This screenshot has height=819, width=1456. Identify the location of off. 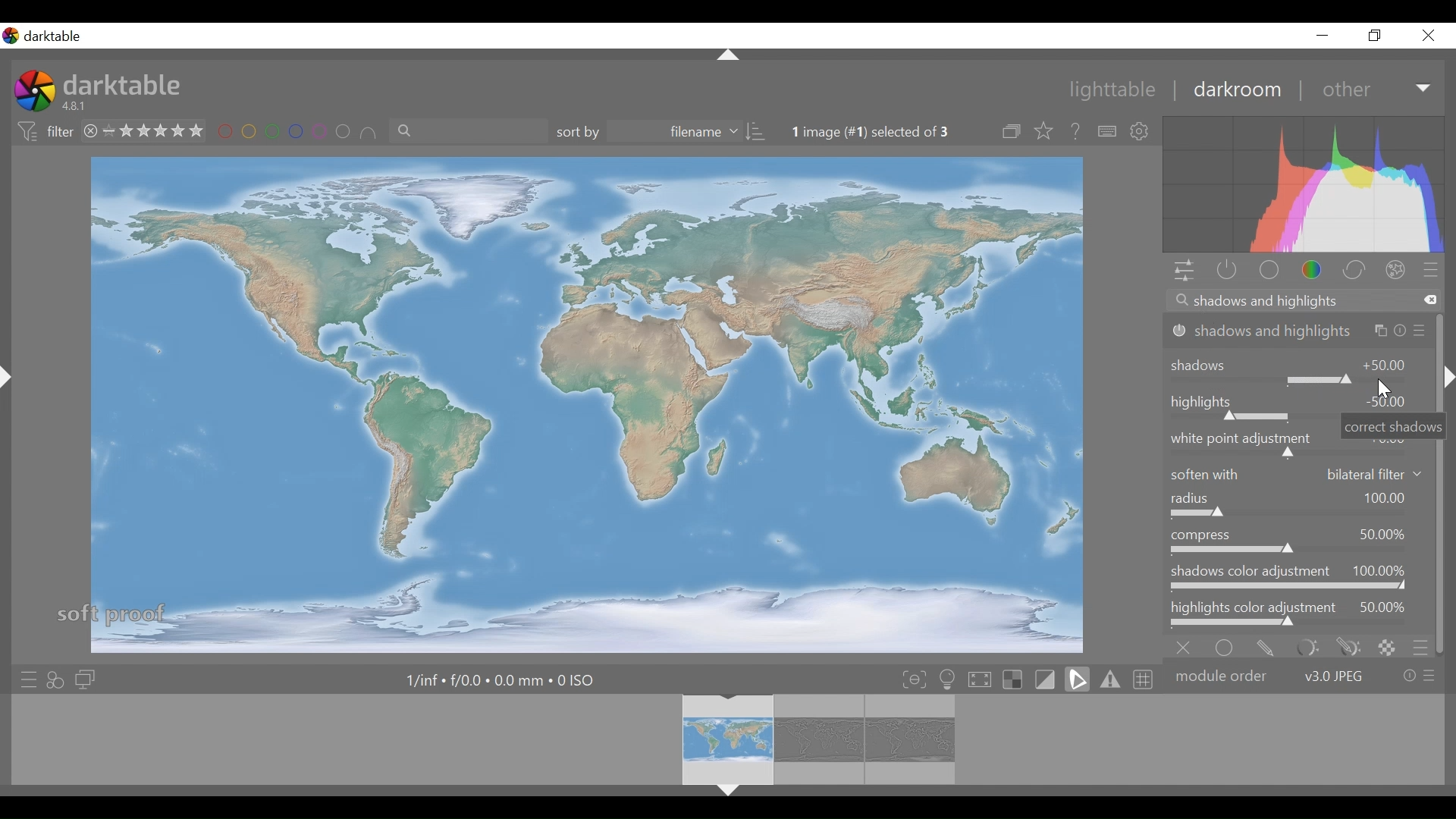
(1187, 646).